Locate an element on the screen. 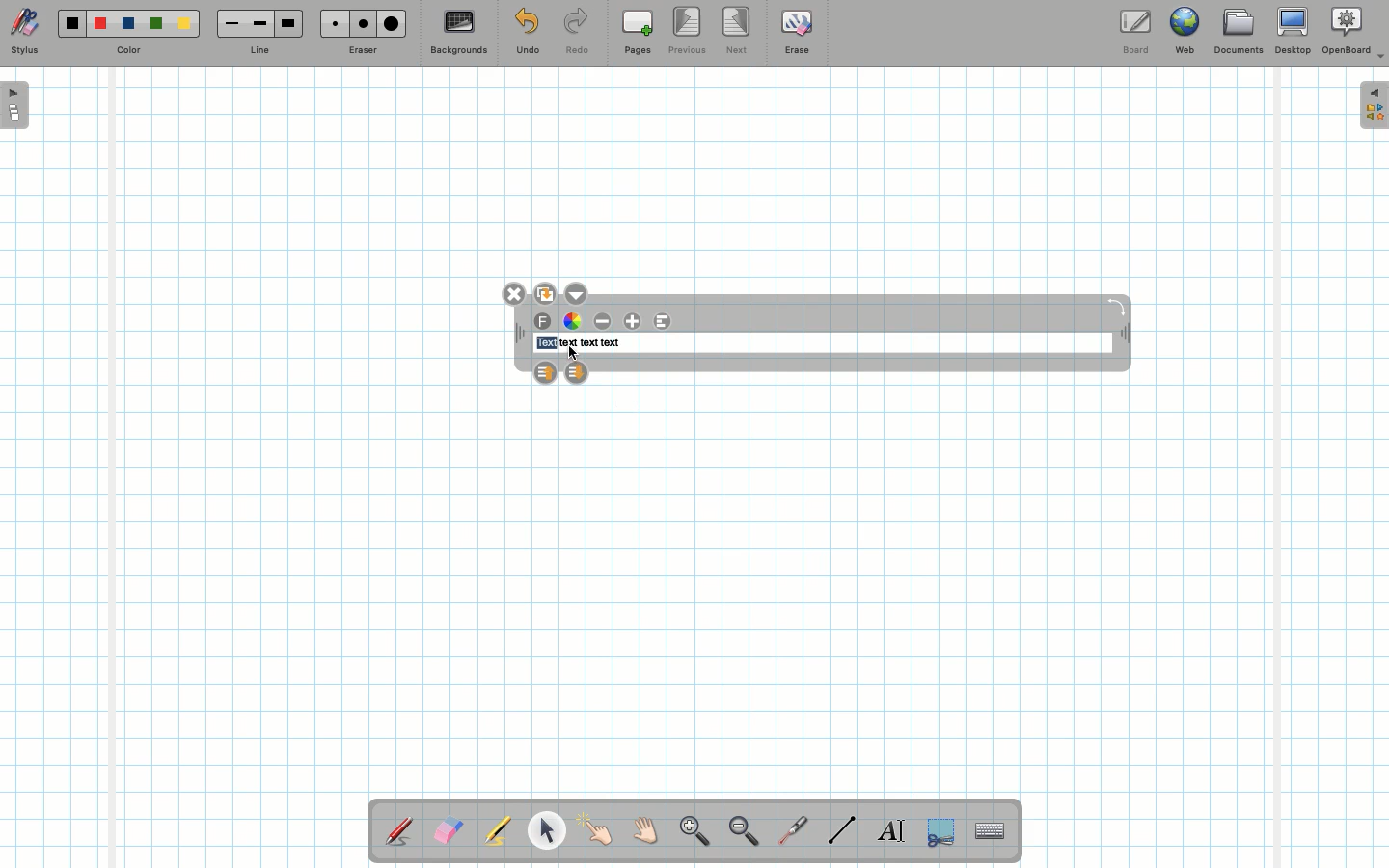 This screenshot has height=868, width=1389. Undo is located at coordinates (527, 35).